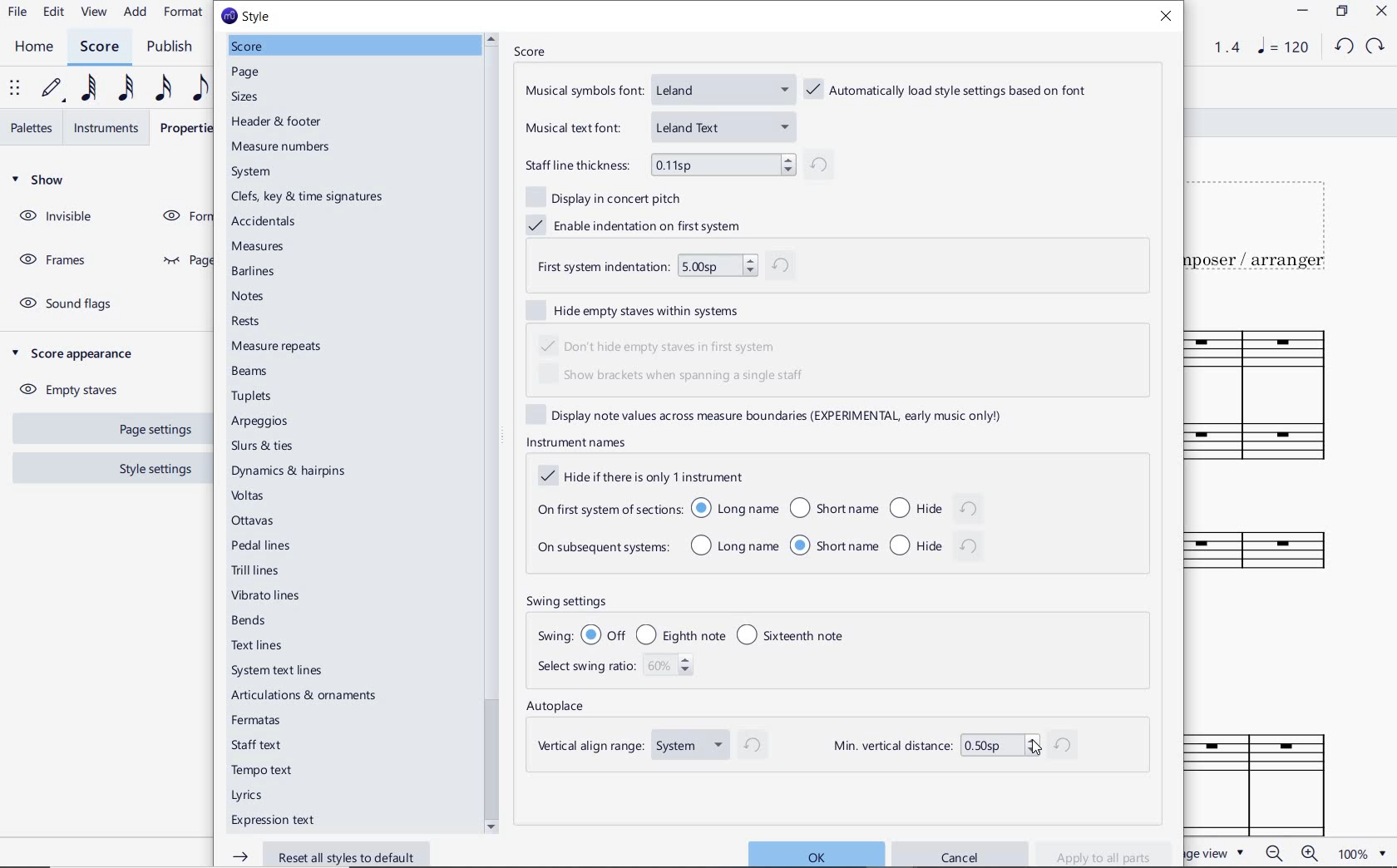  What do you see at coordinates (31, 128) in the screenshot?
I see `PALETTES` at bounding box center [31, 128].